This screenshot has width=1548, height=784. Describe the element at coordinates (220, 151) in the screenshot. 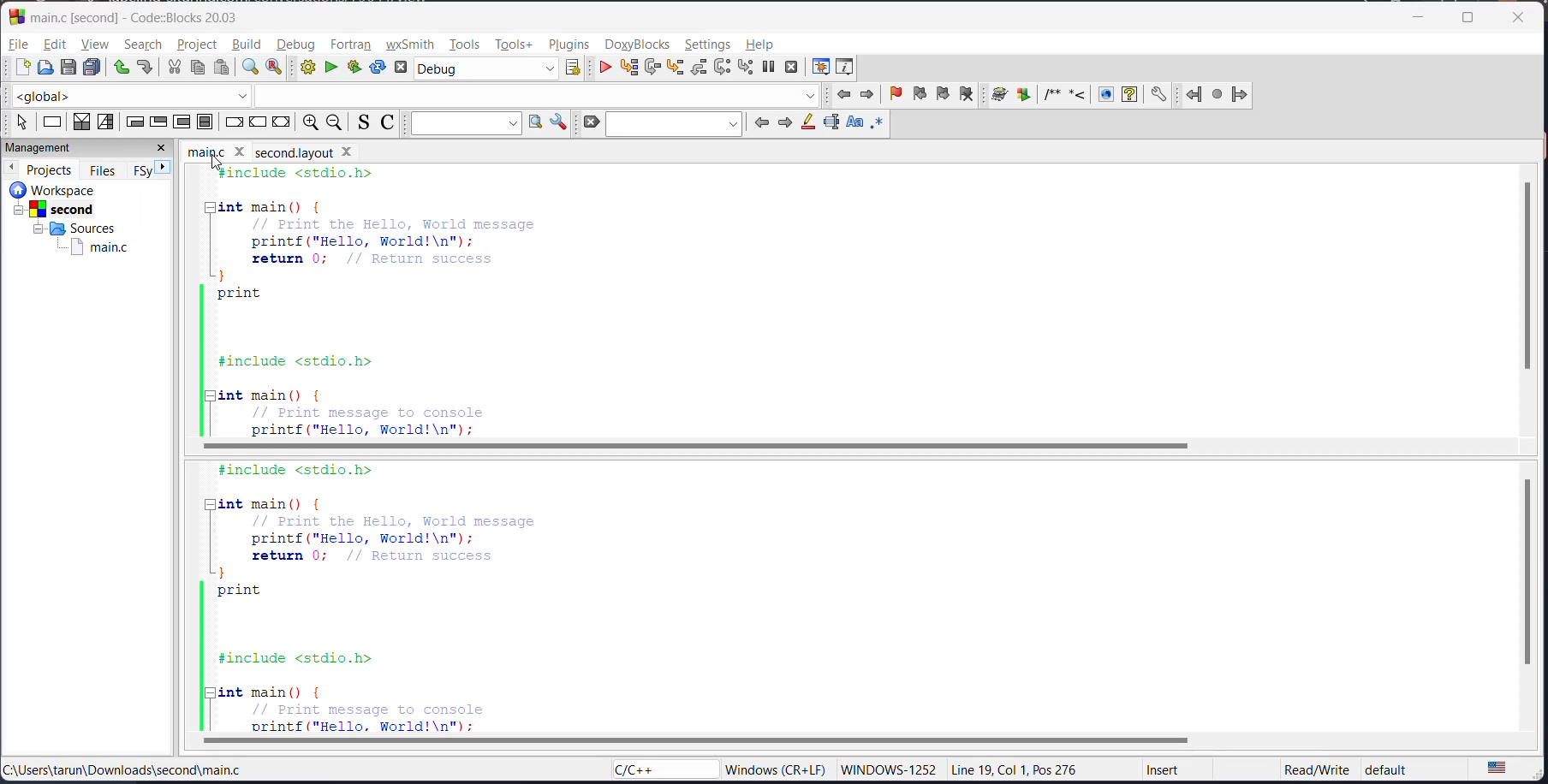

I see `file names` at that location.